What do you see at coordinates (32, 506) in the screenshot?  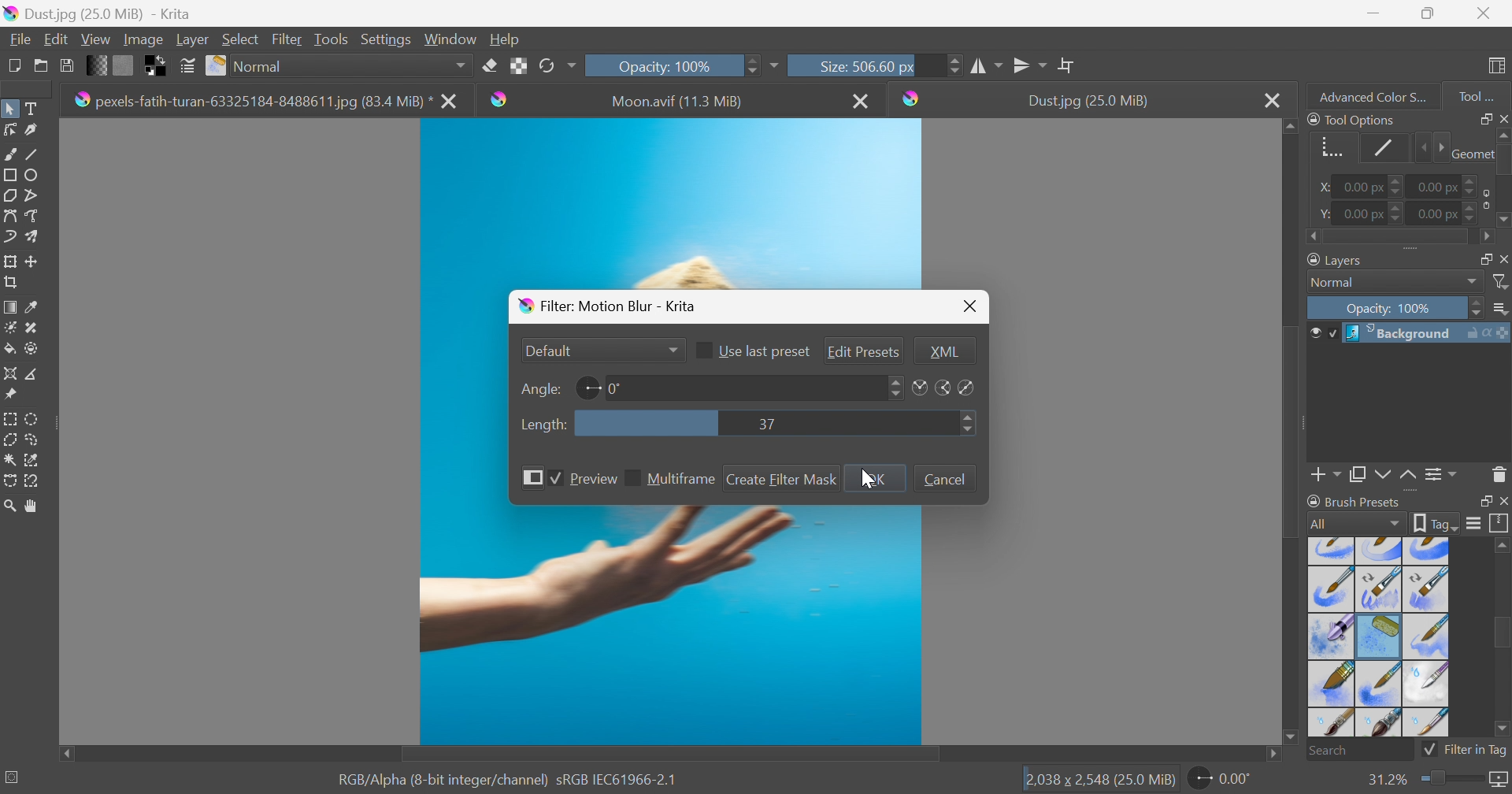 I see `Pan tool` at bounding box center [32, 506].